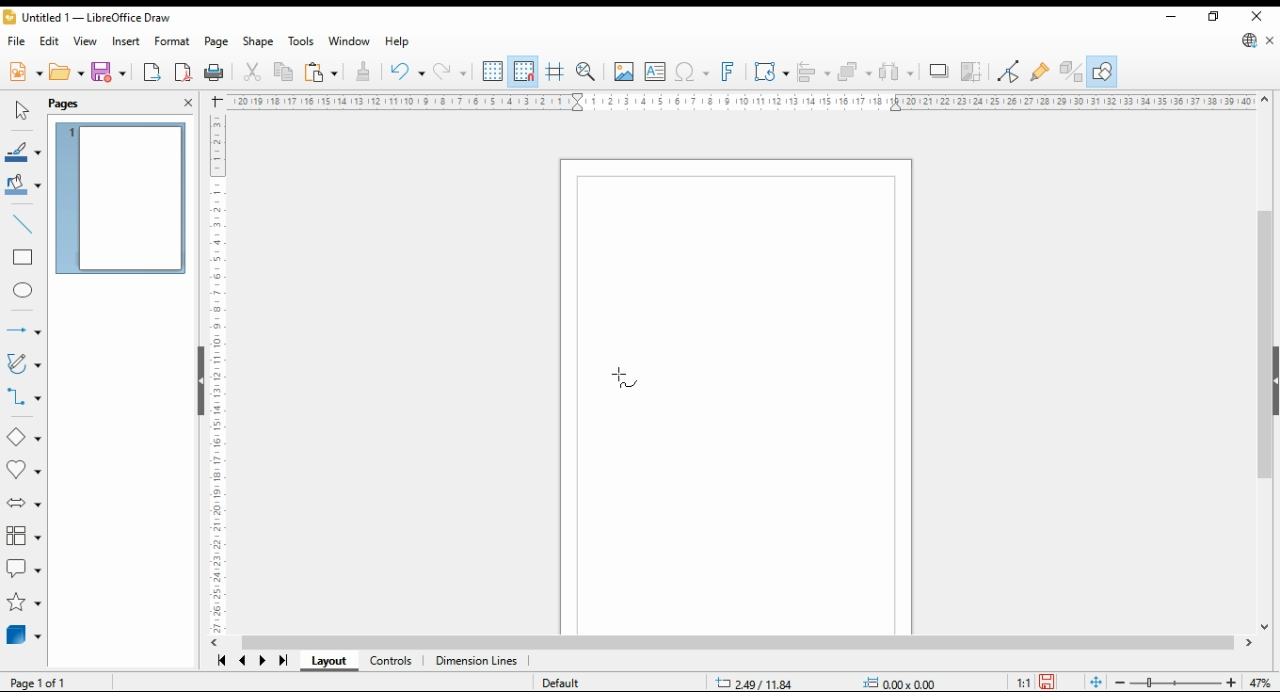 Image resolution: width=1280 pixels, height=692 pixels. What do you see at coordinates (1103, 71) in the screenshot?
I see `show draw functions` at bounding box center [1103, 71].